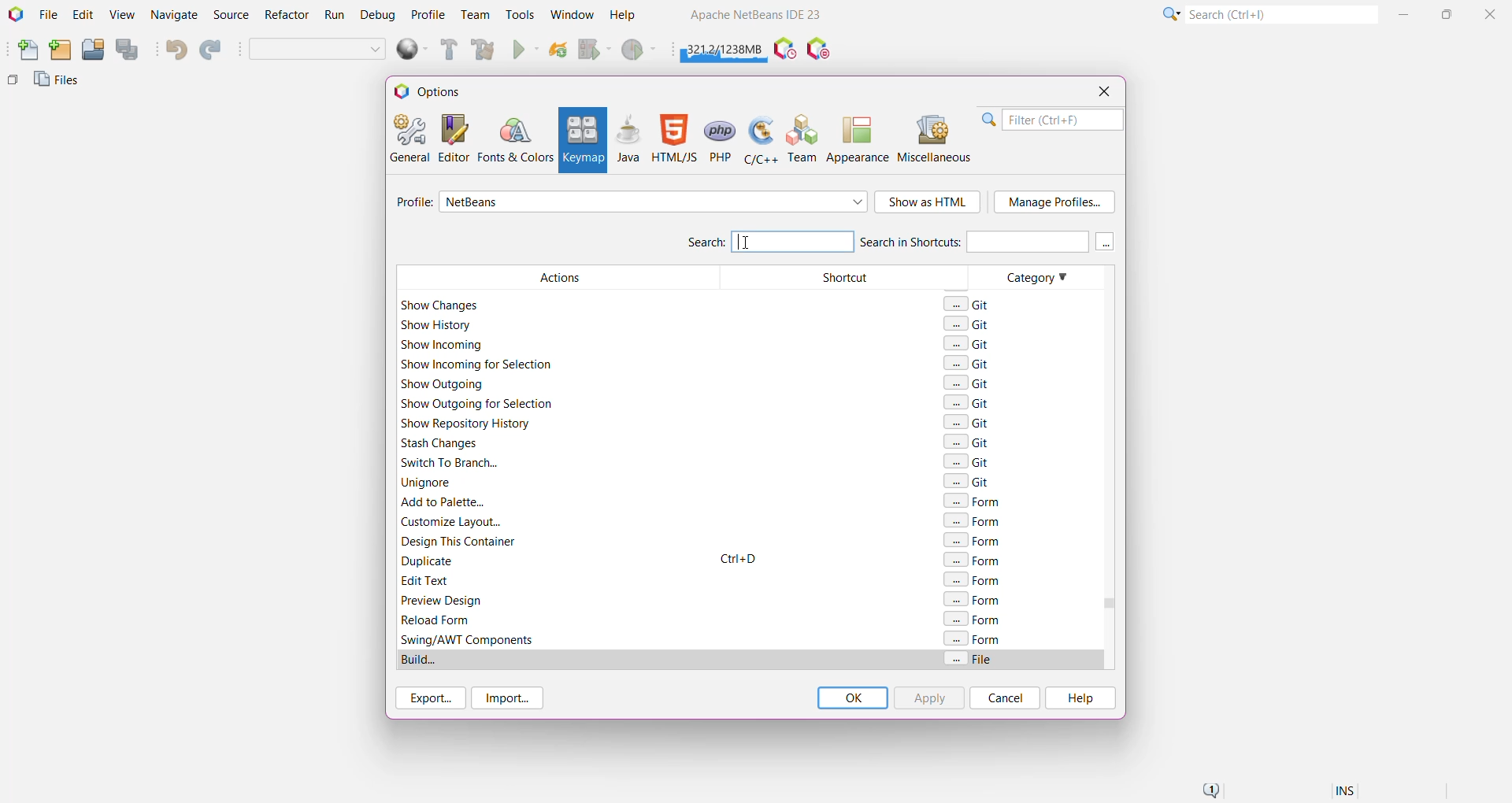 Image resolution: width=1512 pixels, height=803 pixels. What do you see at coordinates (510, 698) in the screenshot?
I see `Import` at bounding box center [510, 698].